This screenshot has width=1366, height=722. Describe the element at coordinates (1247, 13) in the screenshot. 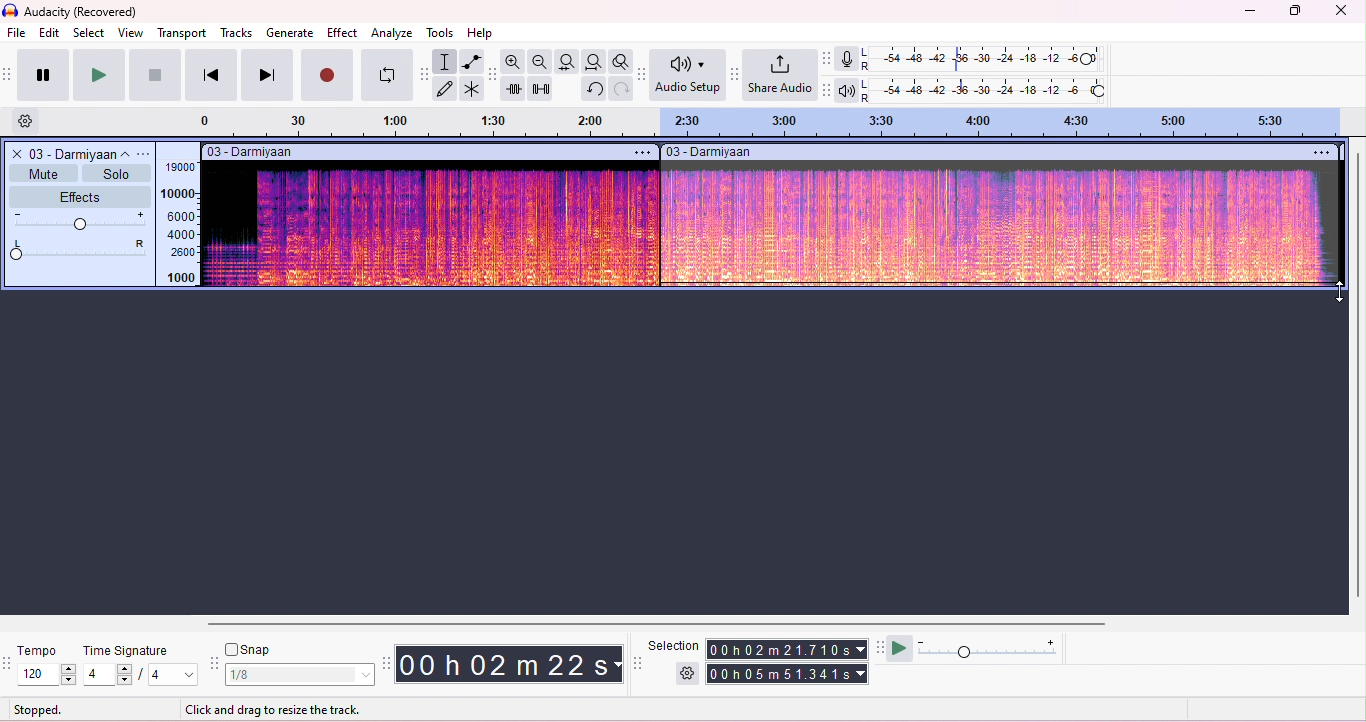

I see `minimize` at that location.